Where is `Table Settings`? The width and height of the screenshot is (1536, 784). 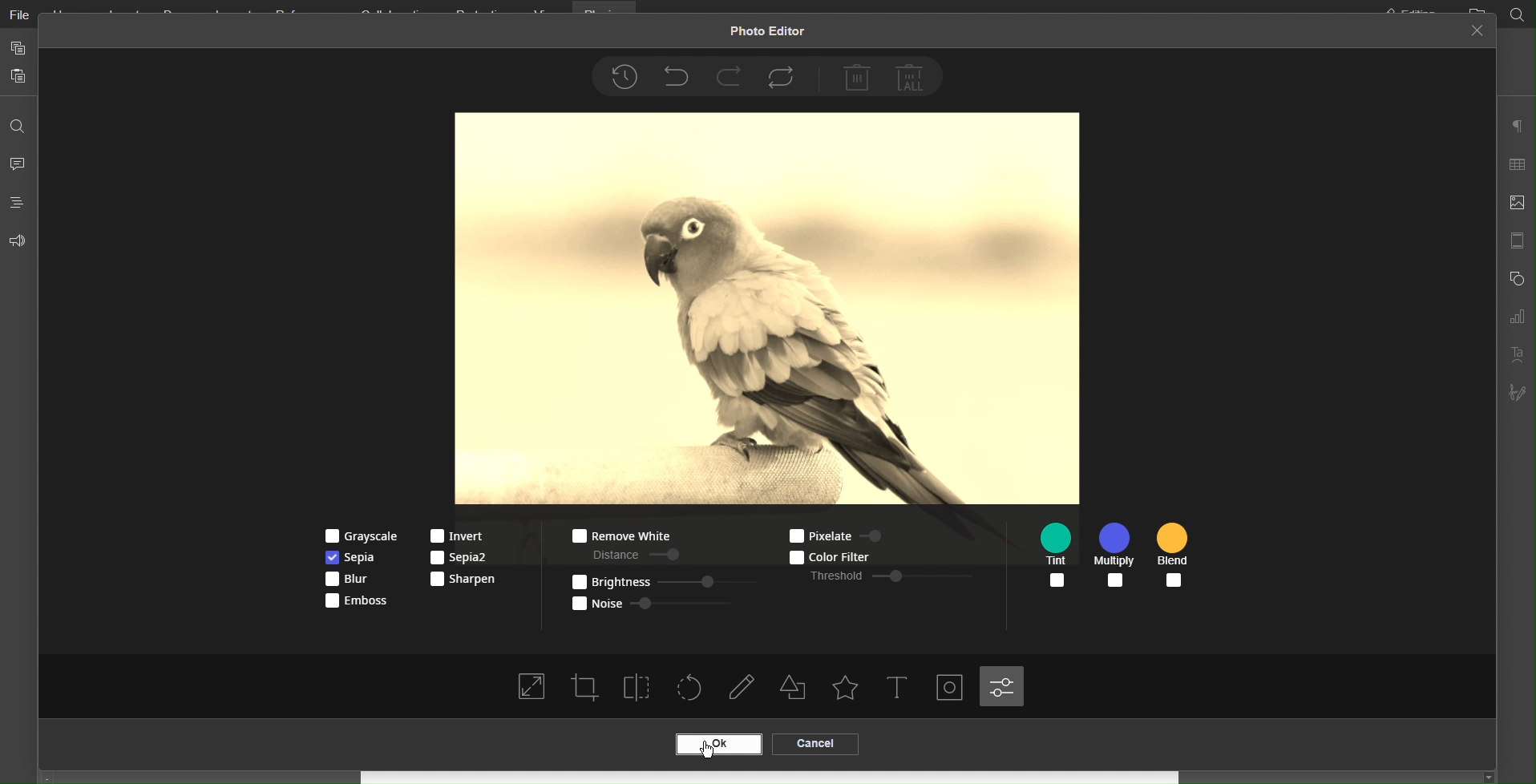
Table Settings is located at coordinates (1516, 164).